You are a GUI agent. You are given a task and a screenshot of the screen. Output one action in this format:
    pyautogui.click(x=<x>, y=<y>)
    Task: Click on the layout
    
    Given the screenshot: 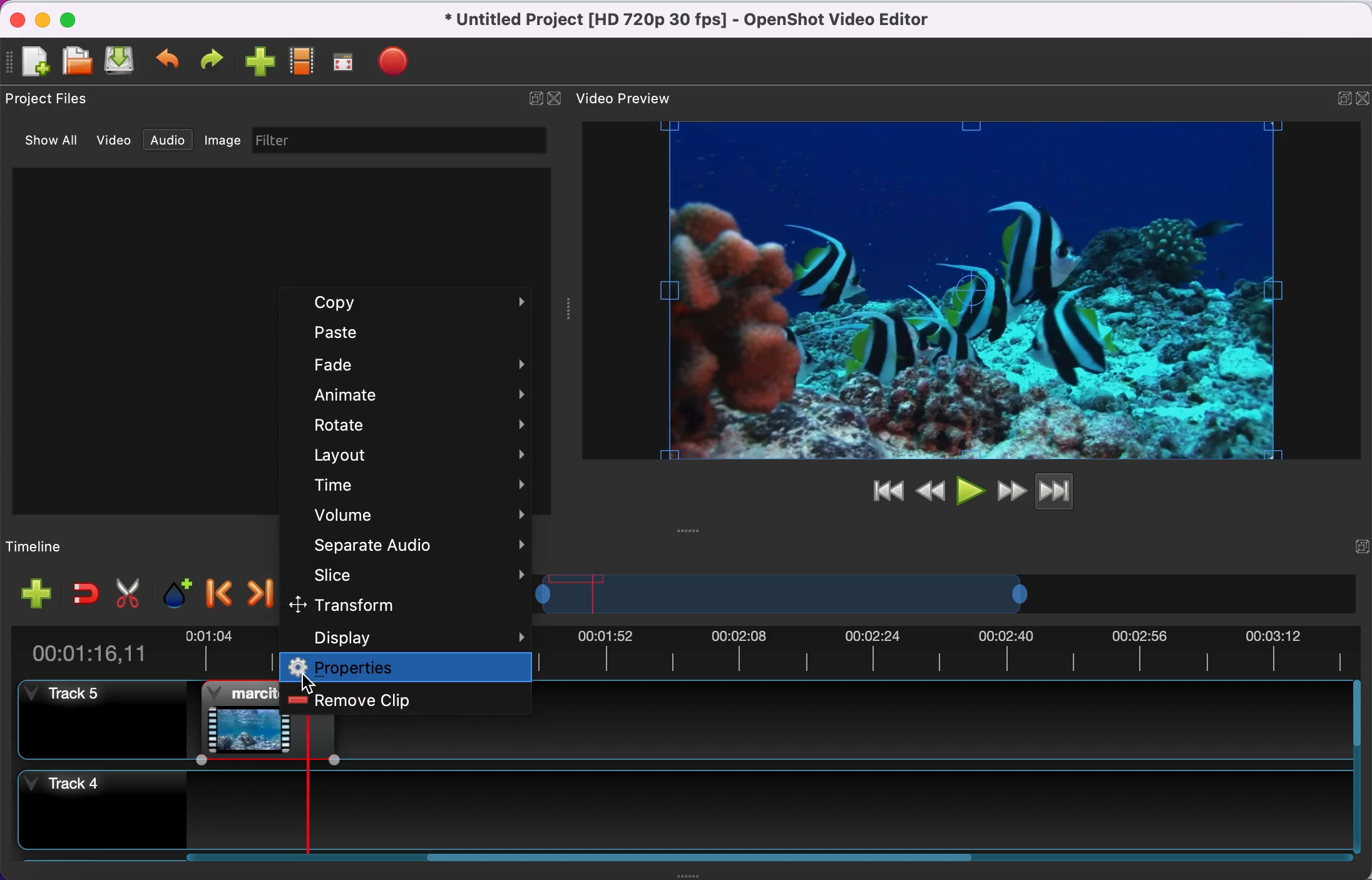 What is the action you would take?
    pyautogui.click(x=417, y=454)
    